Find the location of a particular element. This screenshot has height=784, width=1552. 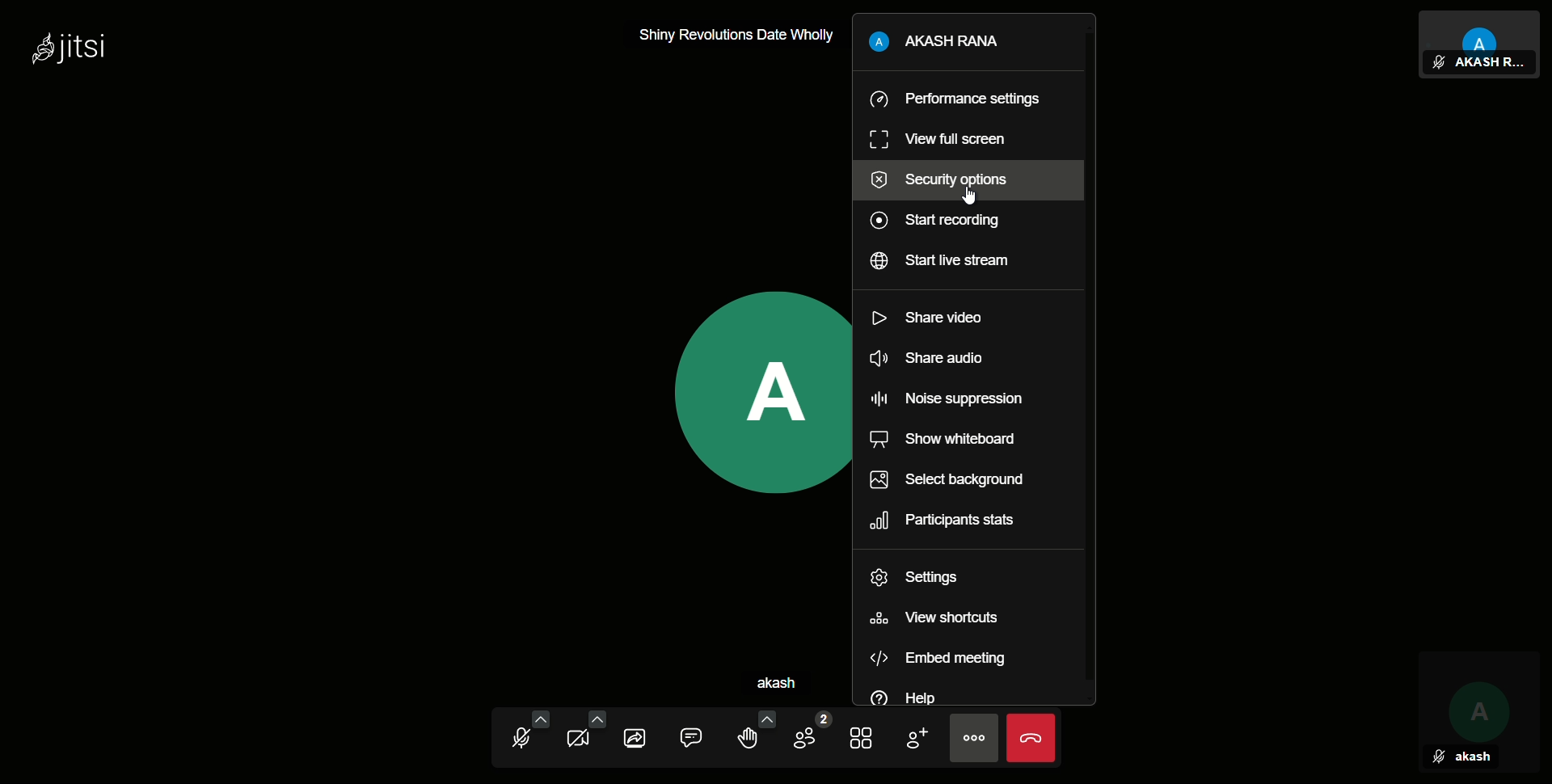

share audio is located at coordinates (925, 360).